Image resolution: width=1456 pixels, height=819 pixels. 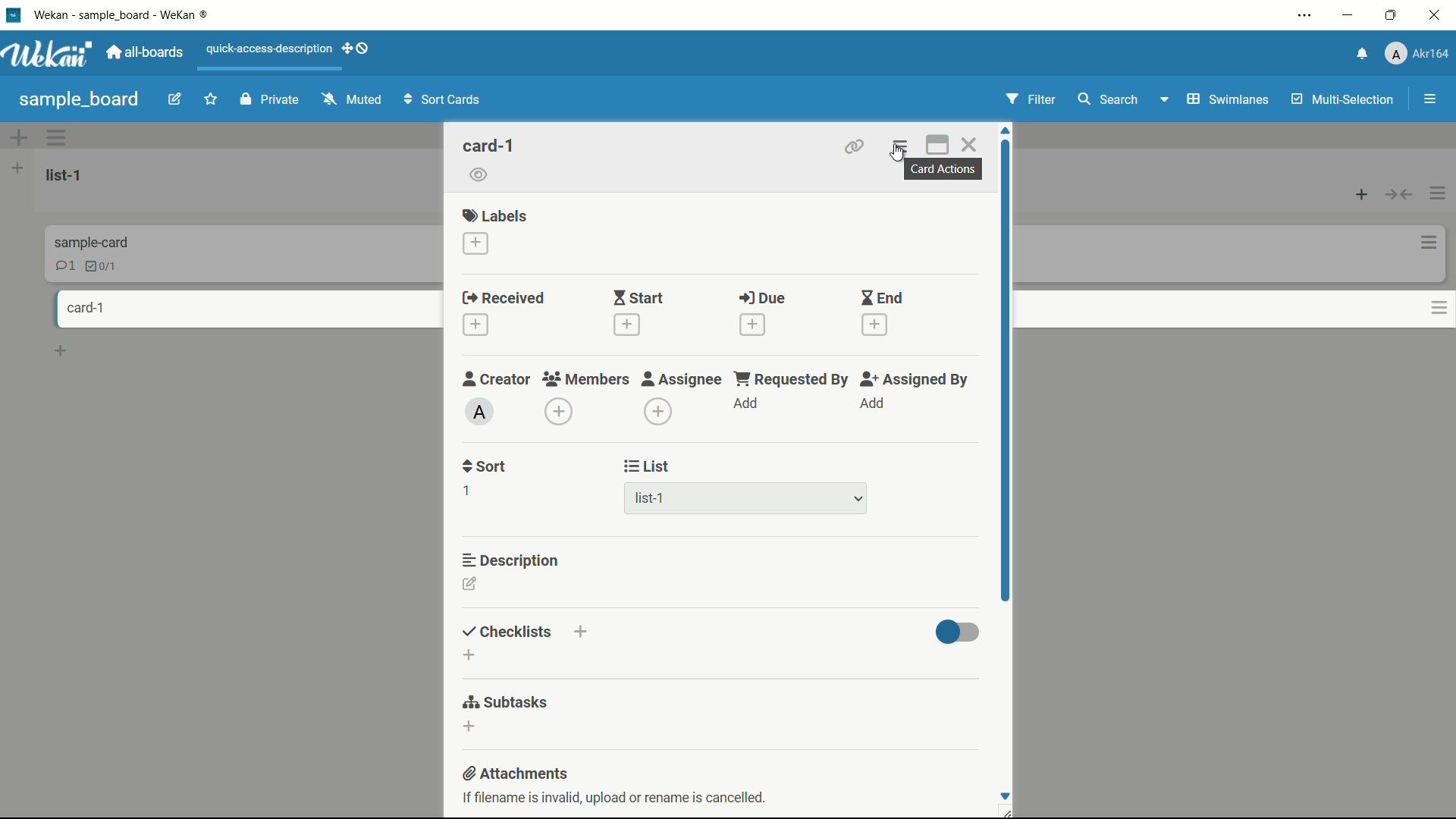 What do you see at coordinates (856, 146) in the screenshot?
I see `copy card link to clipboard` at bounding box center [856, 146].